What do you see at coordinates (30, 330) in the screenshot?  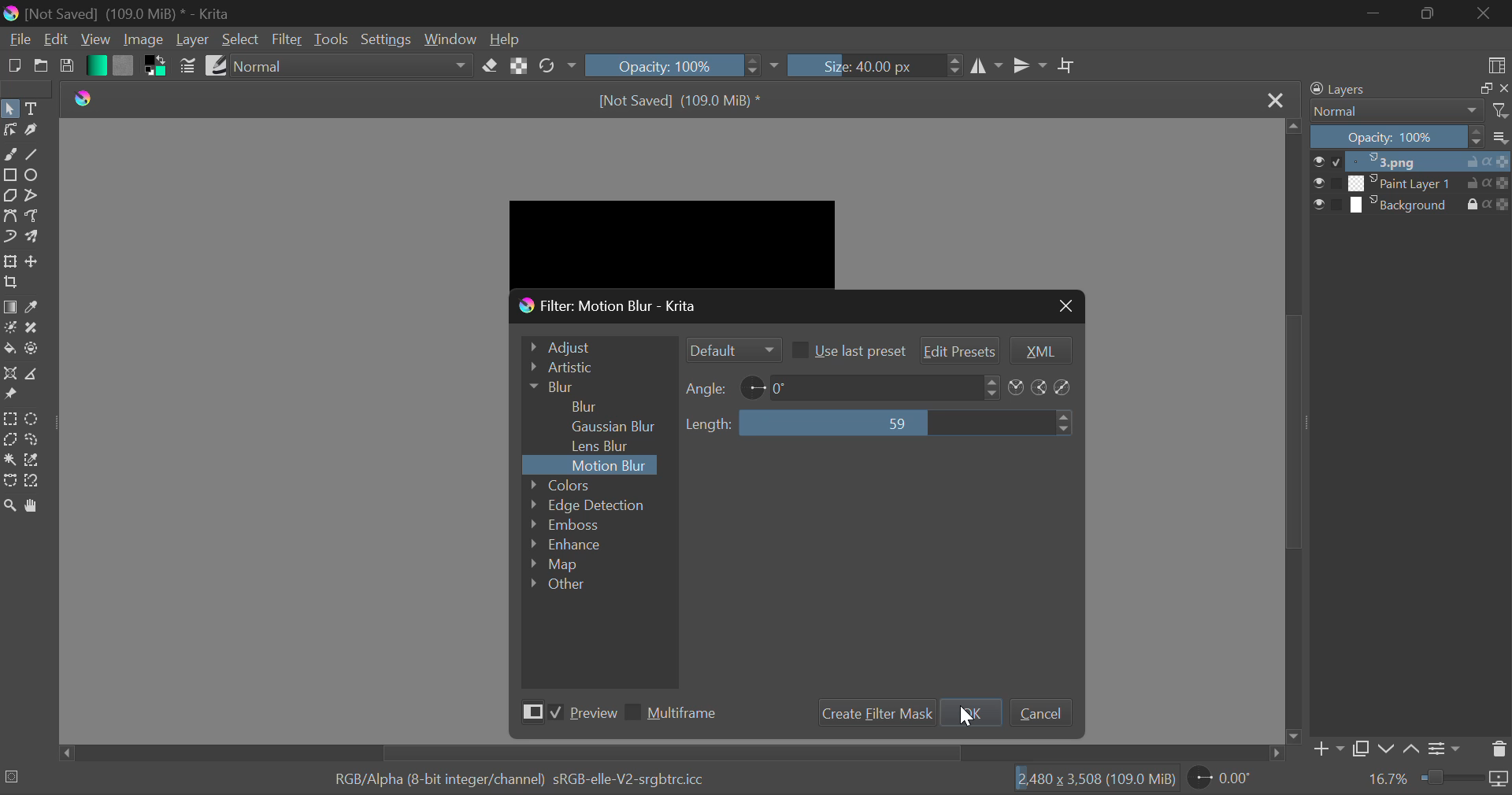 I see `Smart Patch Tool` at bounding box center [30, 330].